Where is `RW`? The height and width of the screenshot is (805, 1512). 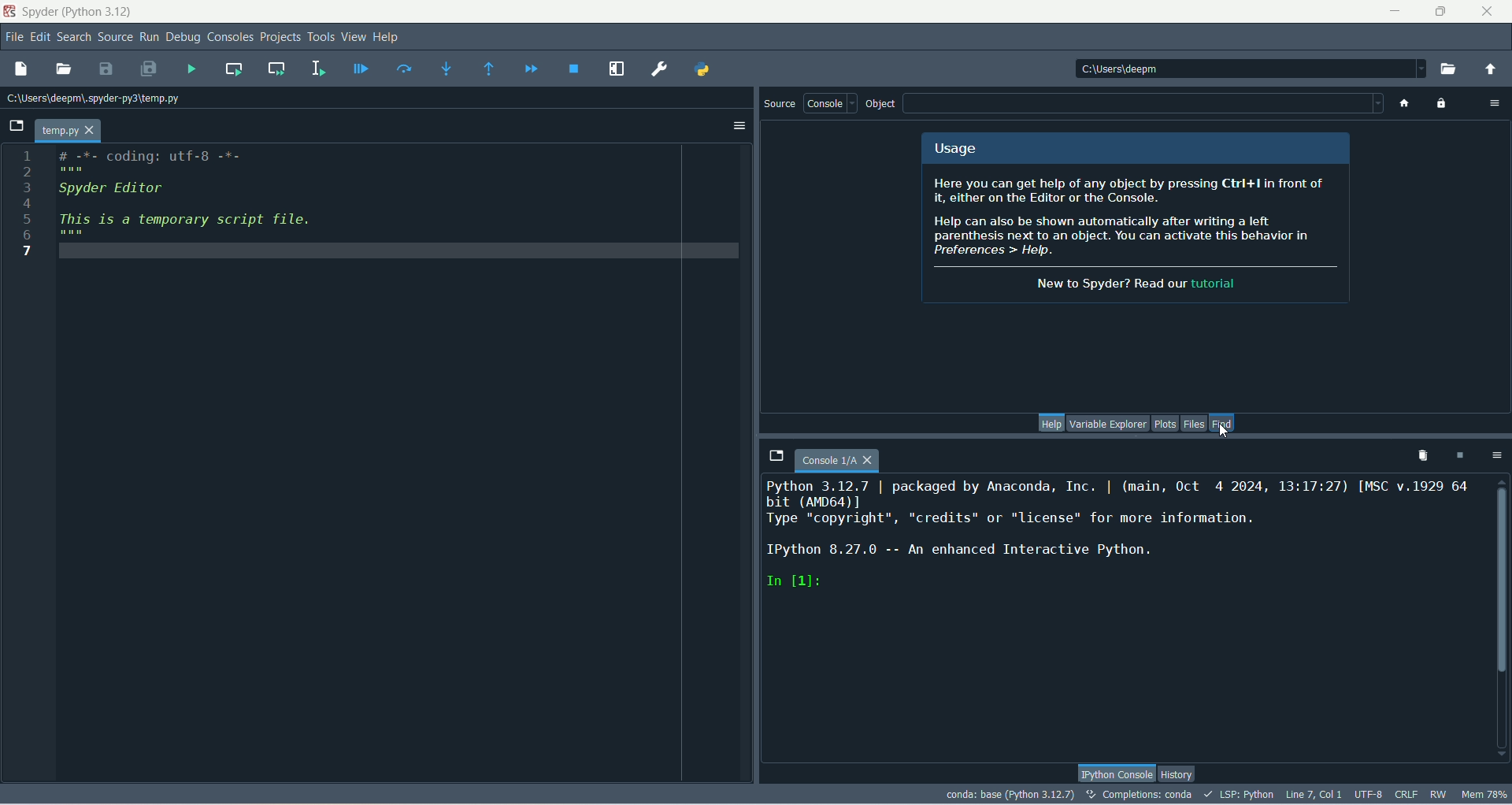
RW is located at coordinates (1437, 795).